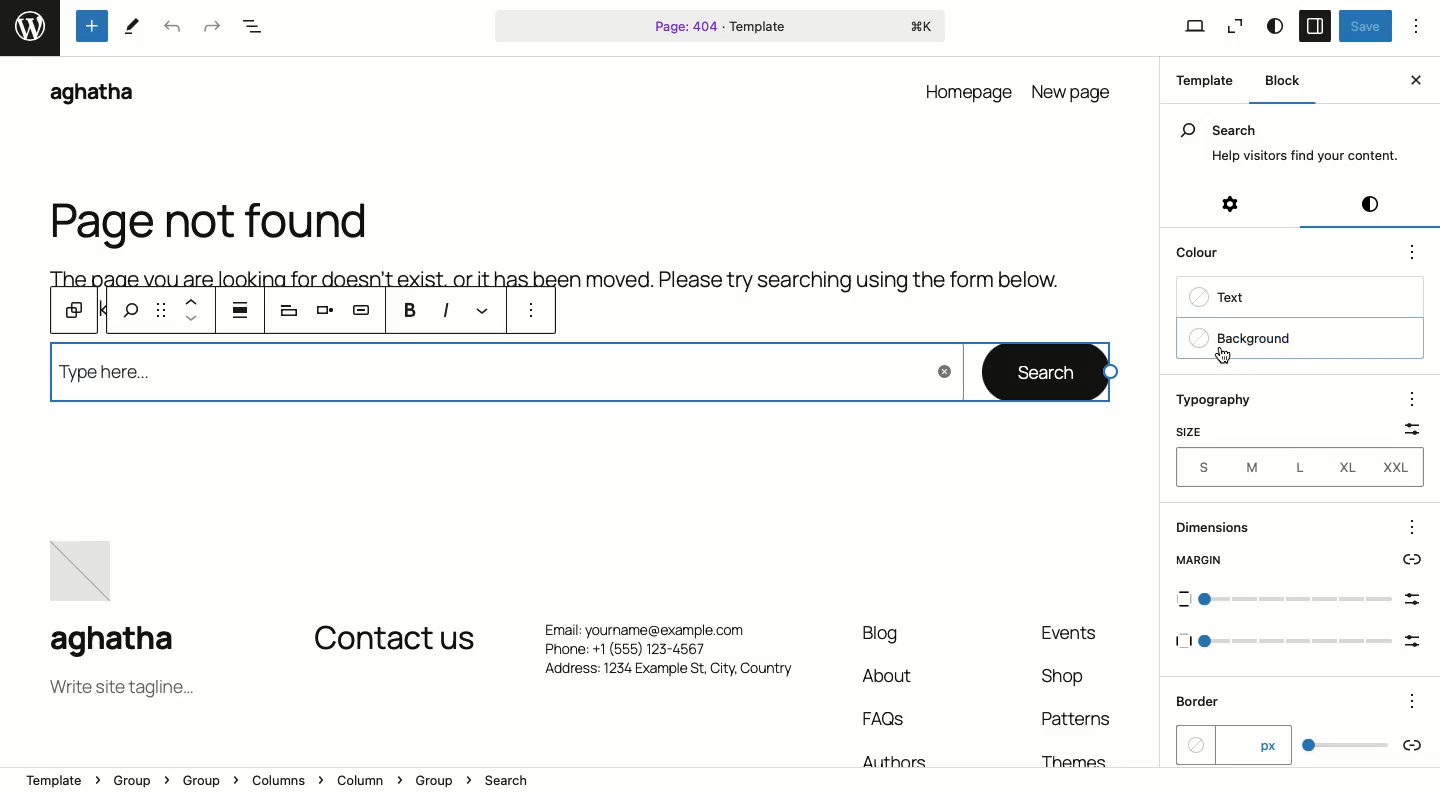 The height and width of the screenshot is (792, 1440). Describe the element at coordinates (410, 309) in the screenshot. I see `B` at that location.